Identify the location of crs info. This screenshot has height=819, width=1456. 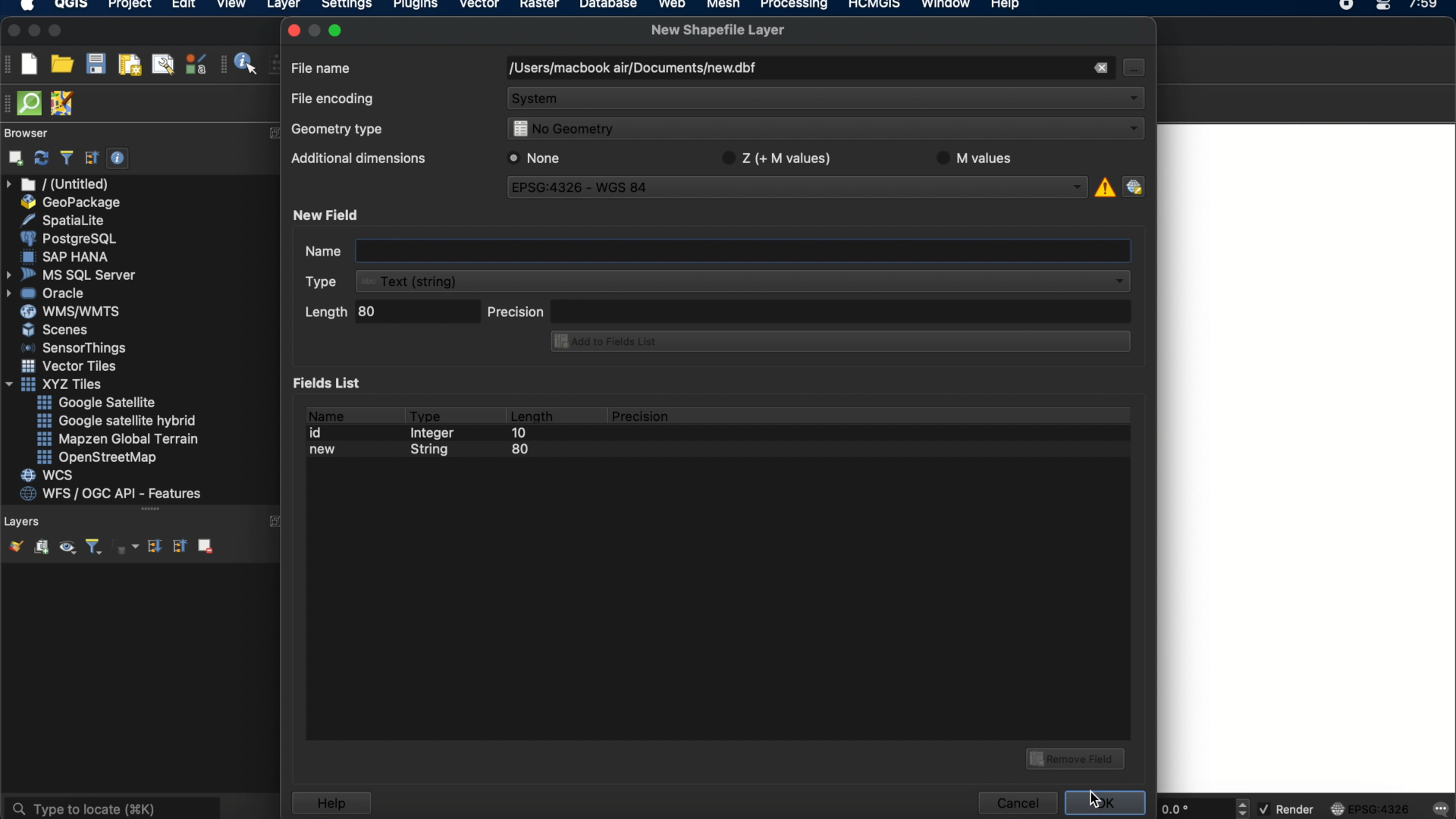
(1103, 185).